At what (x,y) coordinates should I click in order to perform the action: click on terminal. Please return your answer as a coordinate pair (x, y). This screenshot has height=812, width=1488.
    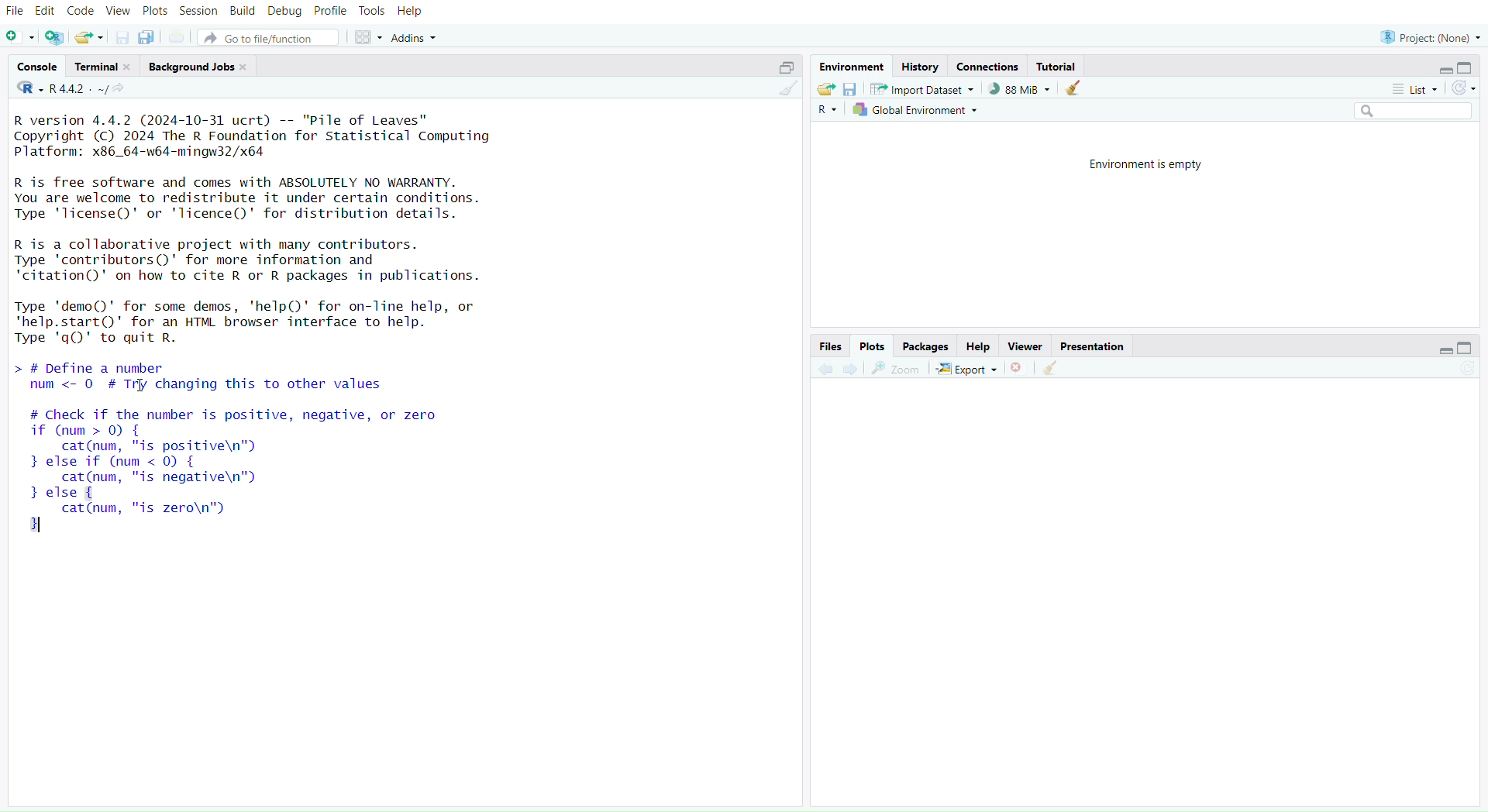
    Looking at the image, I should click on (105, 67).